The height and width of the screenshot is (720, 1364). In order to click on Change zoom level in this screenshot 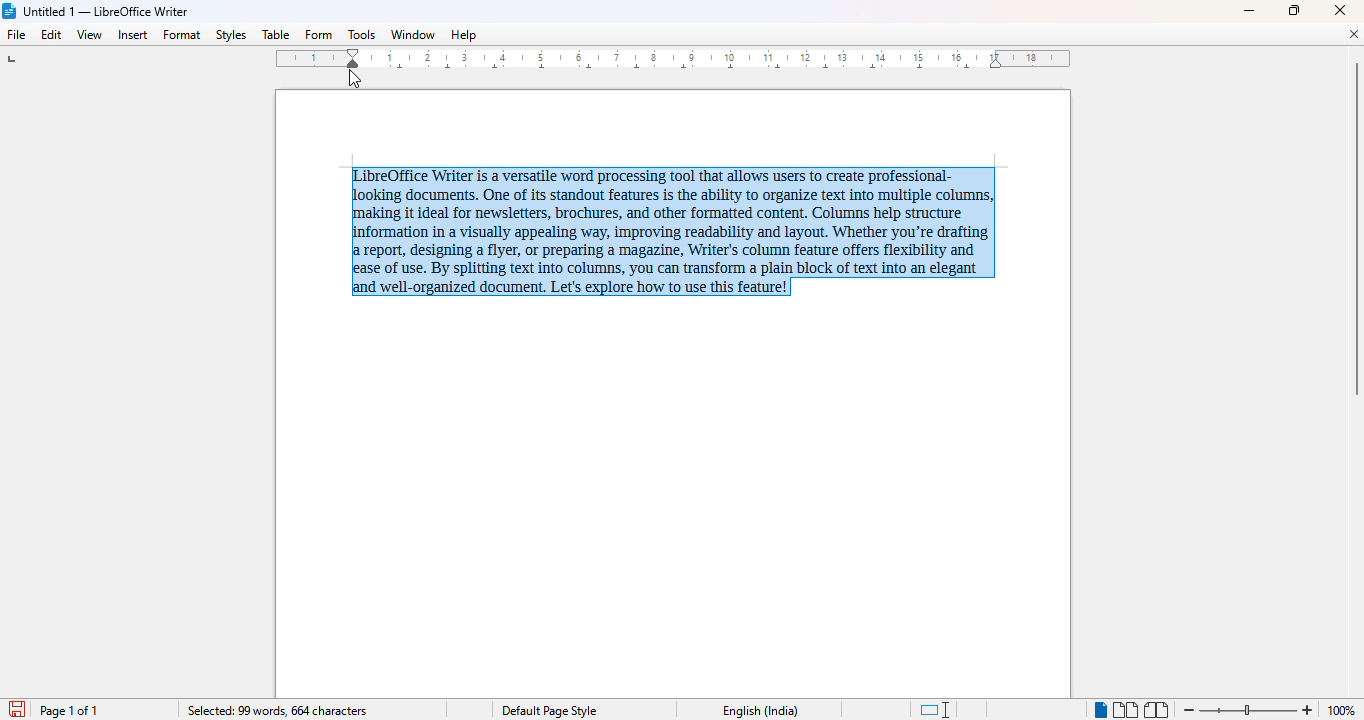, I will do `click(1248, 707)`.